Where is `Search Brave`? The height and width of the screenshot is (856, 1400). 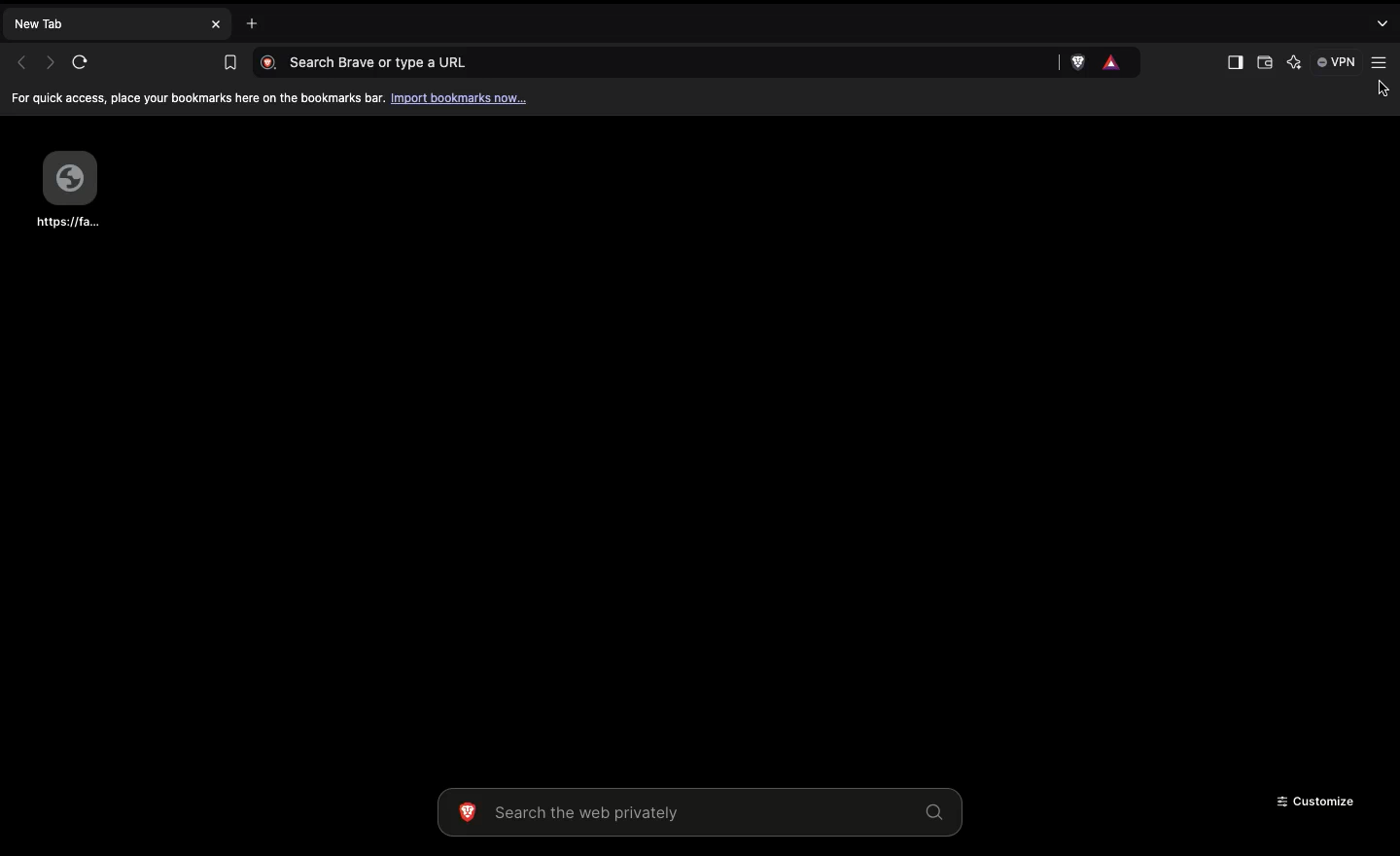
Search Brave is located at coordinates (652, 62).